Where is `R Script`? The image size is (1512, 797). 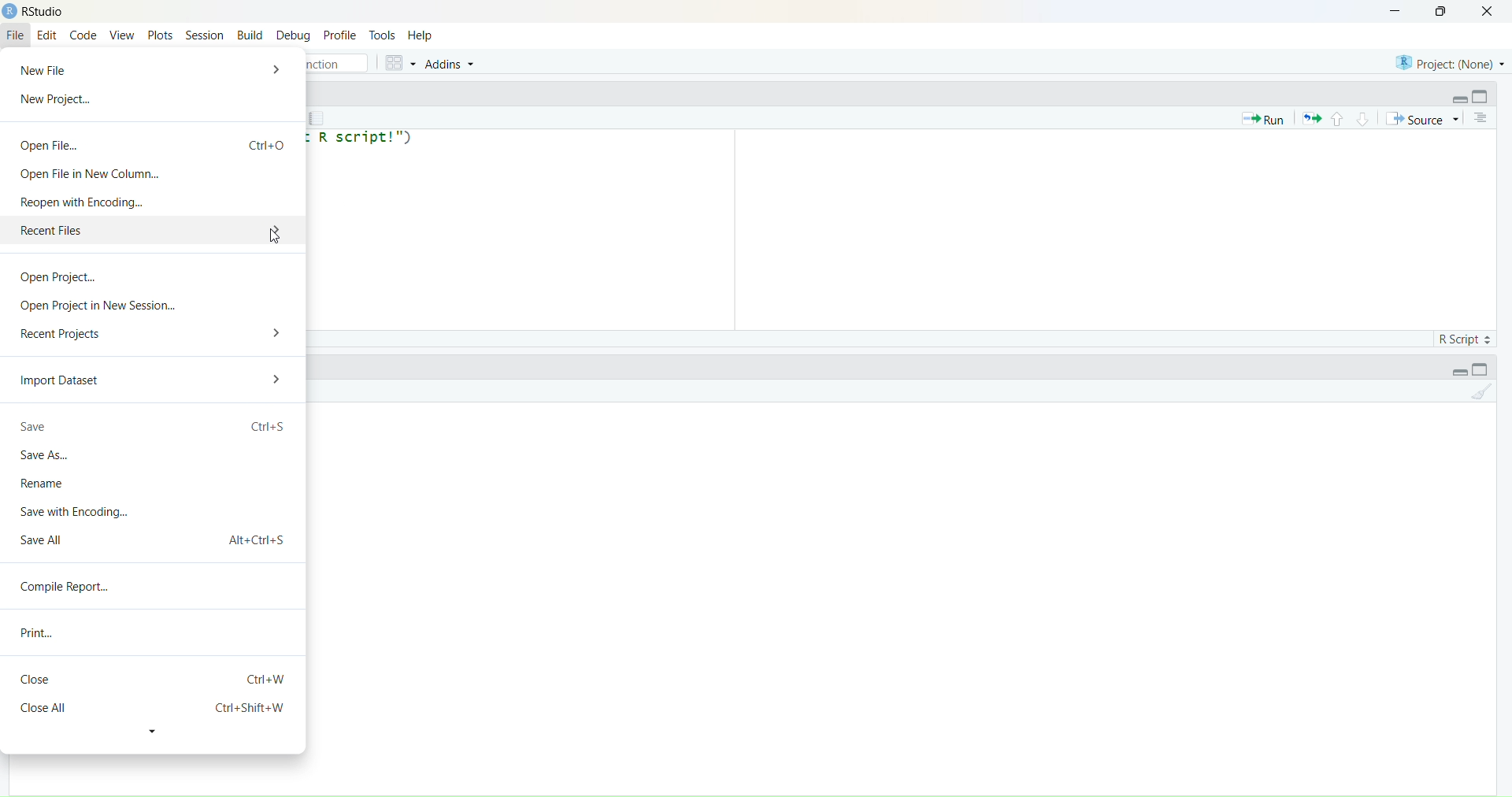
R Script is located at coordinates (1462, 337).